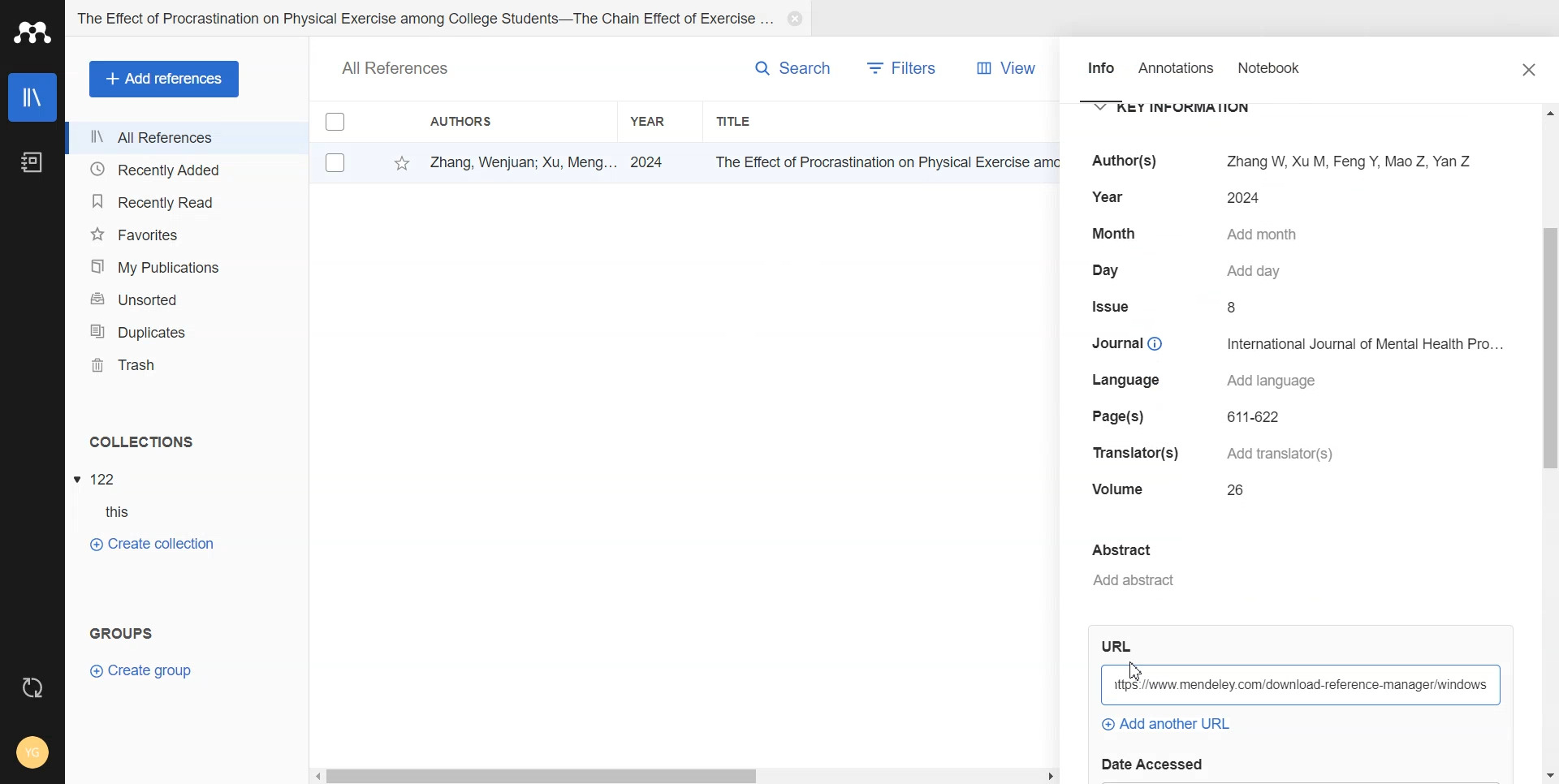 This screenshot has height=784, width=1559. What do you see at coordinates (1178, 74) in the screenshot?
I see `Annotation` at bounding box center [1178, 74].